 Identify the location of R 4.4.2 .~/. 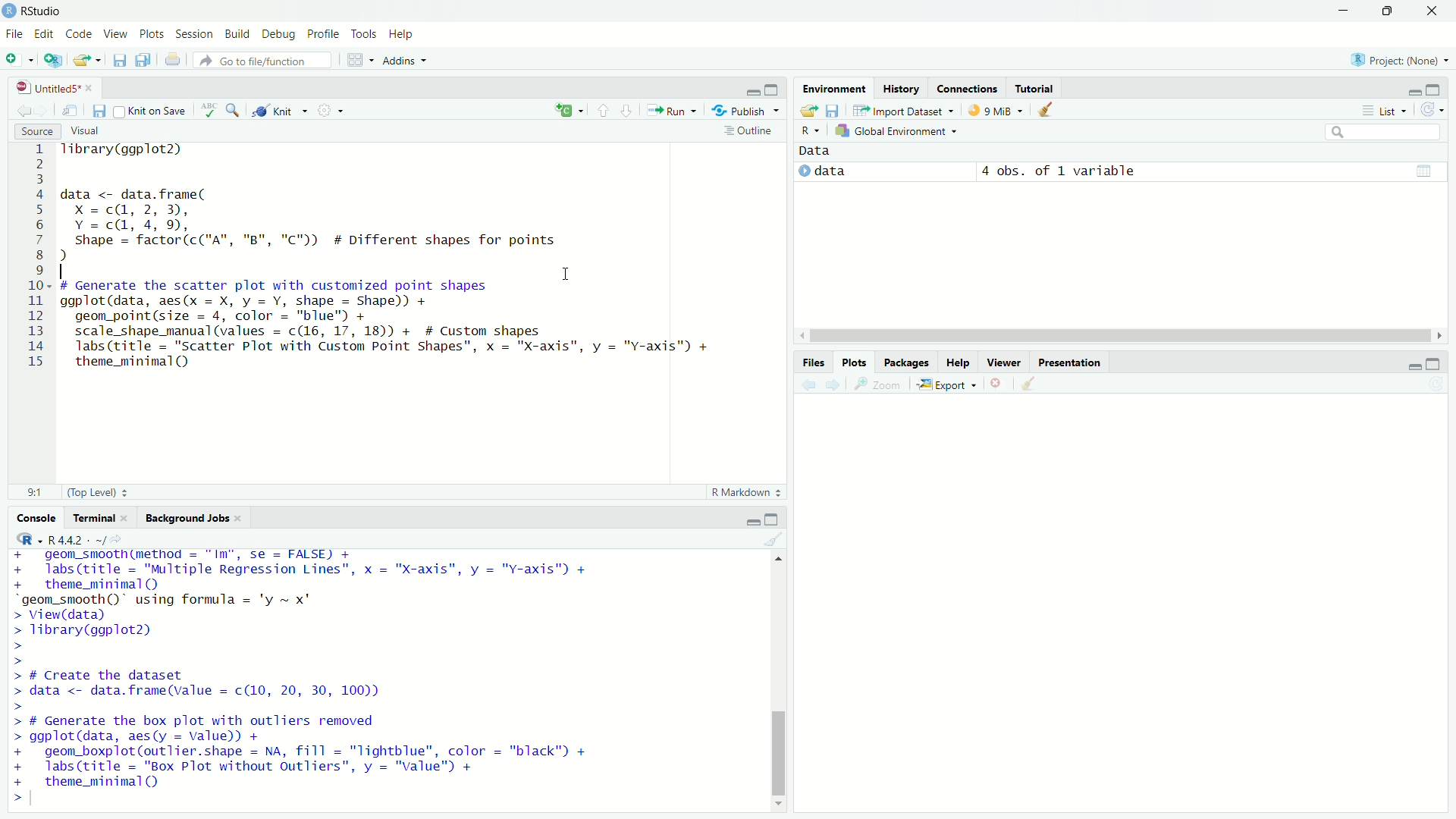
(77, 540).